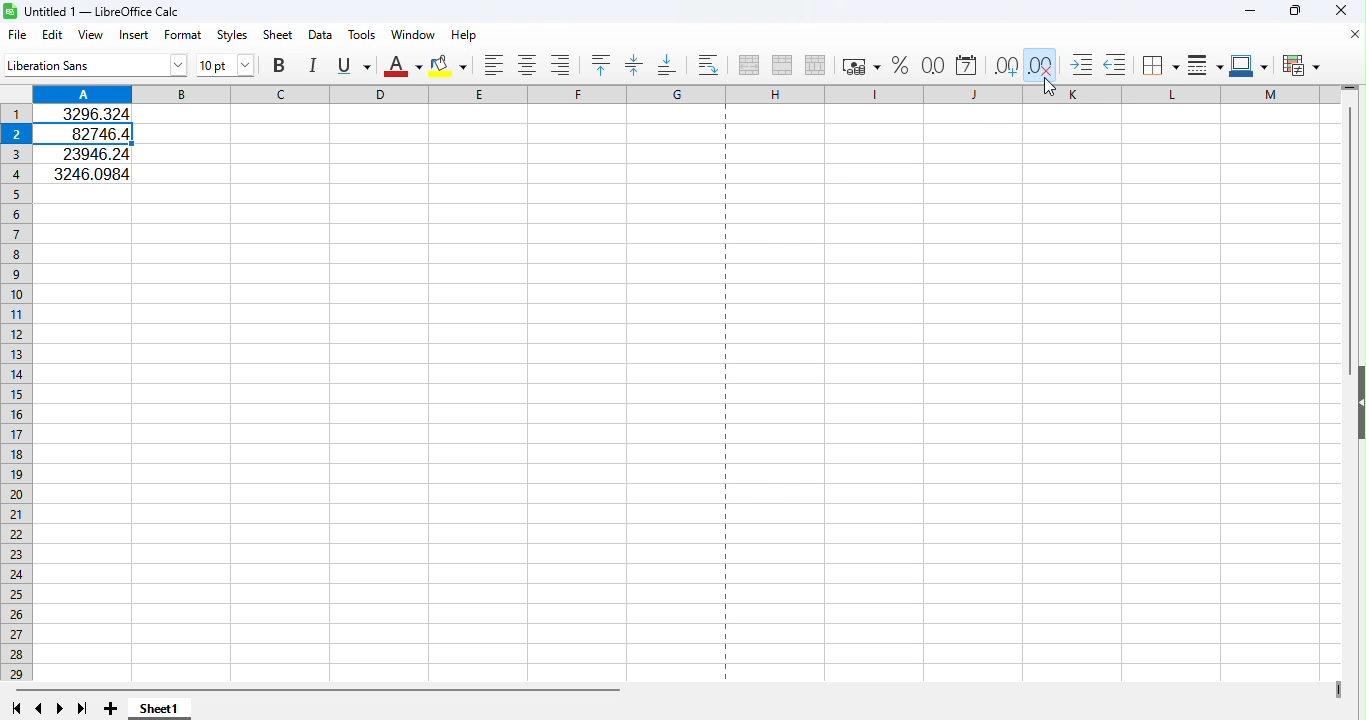  What do you see at coordinates (91, 154) in the screenshot?
I see `23946.24` at bounding box center [91, 154].